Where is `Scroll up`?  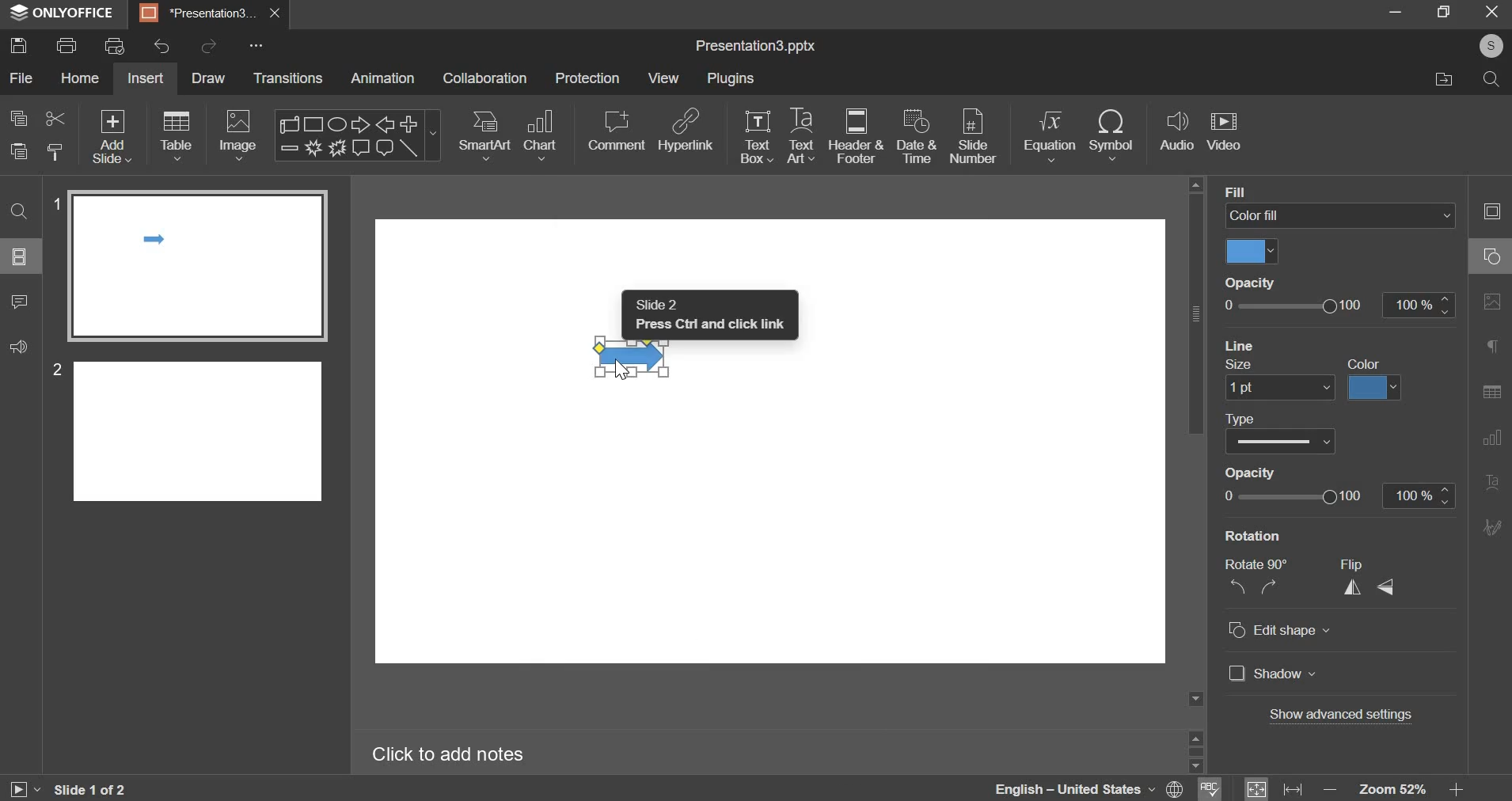 Scroll up is located at coordinates (1195, 184).